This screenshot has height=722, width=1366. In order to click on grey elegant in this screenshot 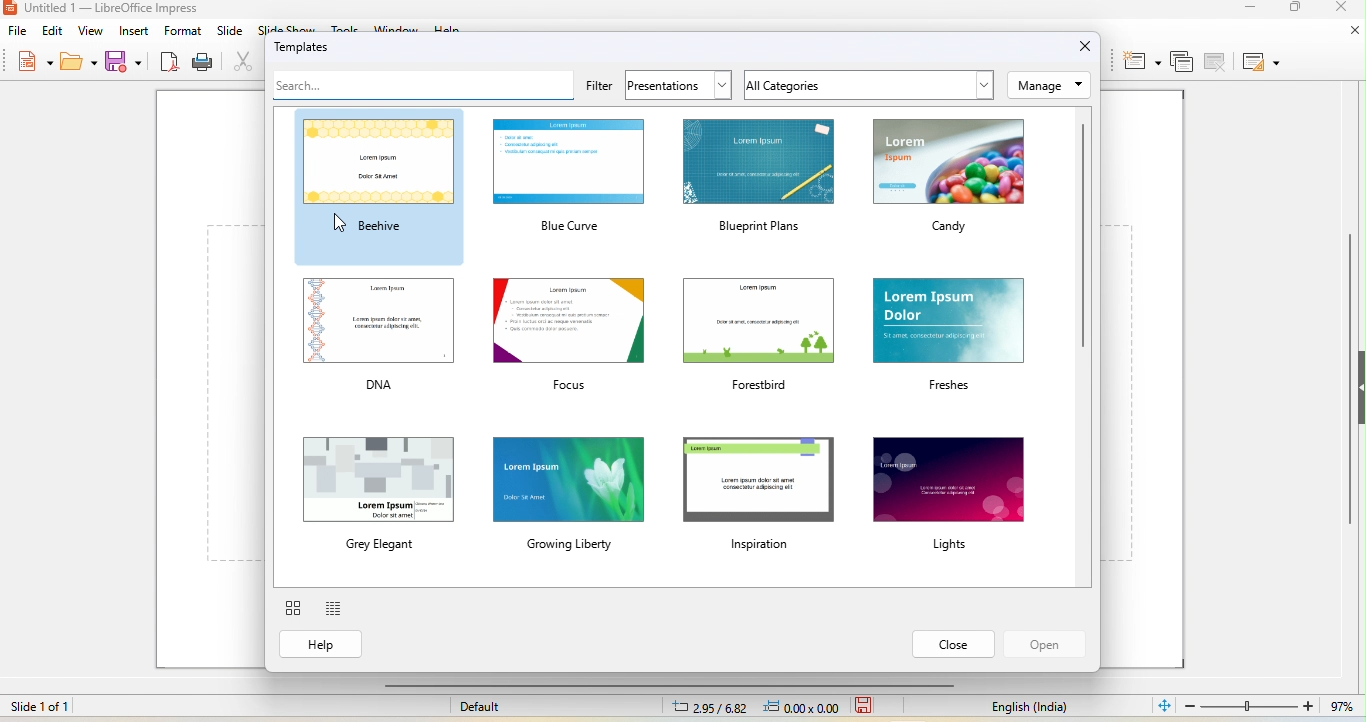, I will do `click(378, 490)`.